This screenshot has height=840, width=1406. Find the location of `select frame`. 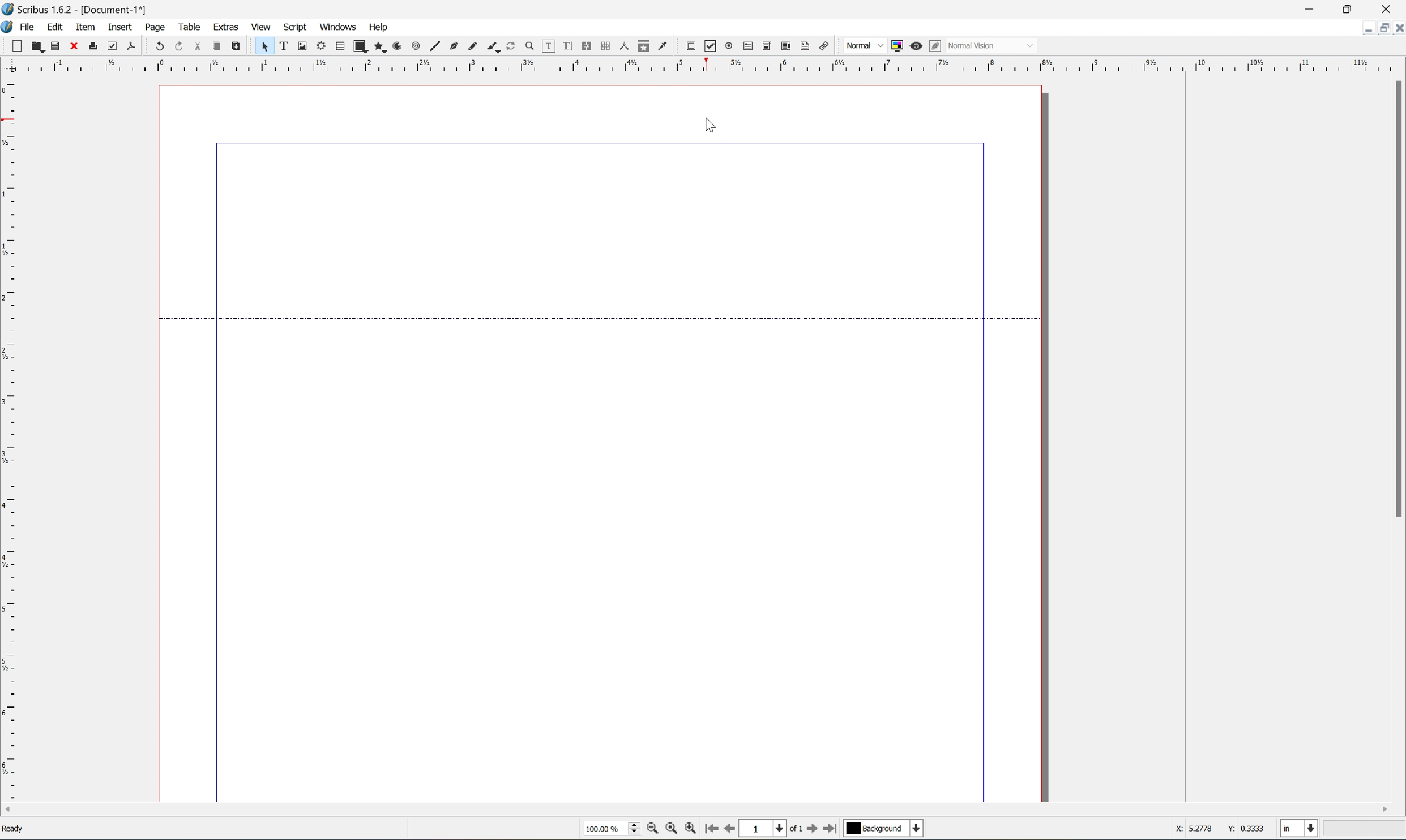

select frame is located at coordinates (266, 48).